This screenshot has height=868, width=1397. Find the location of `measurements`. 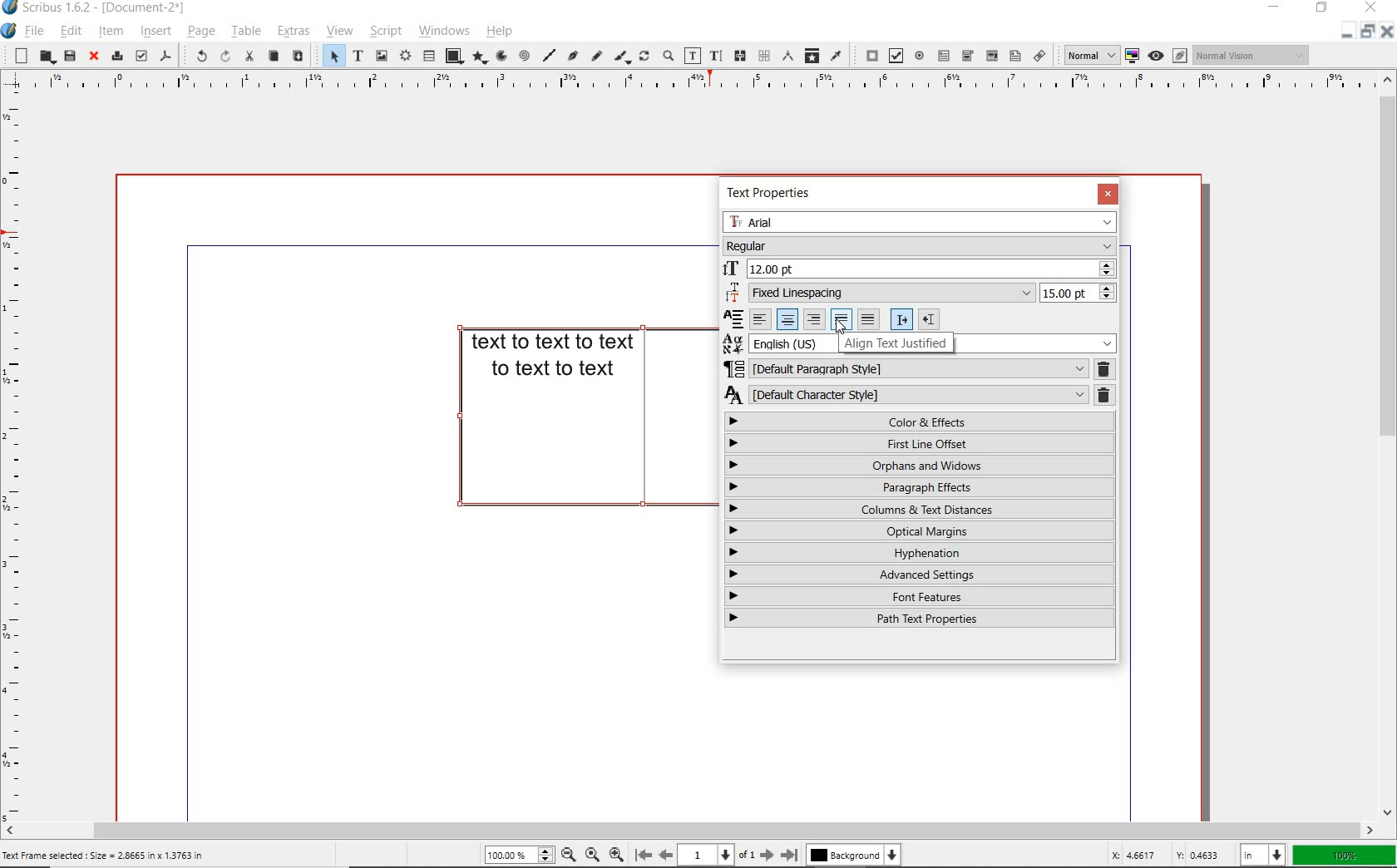

measurements is located at coordinates (786, 57).